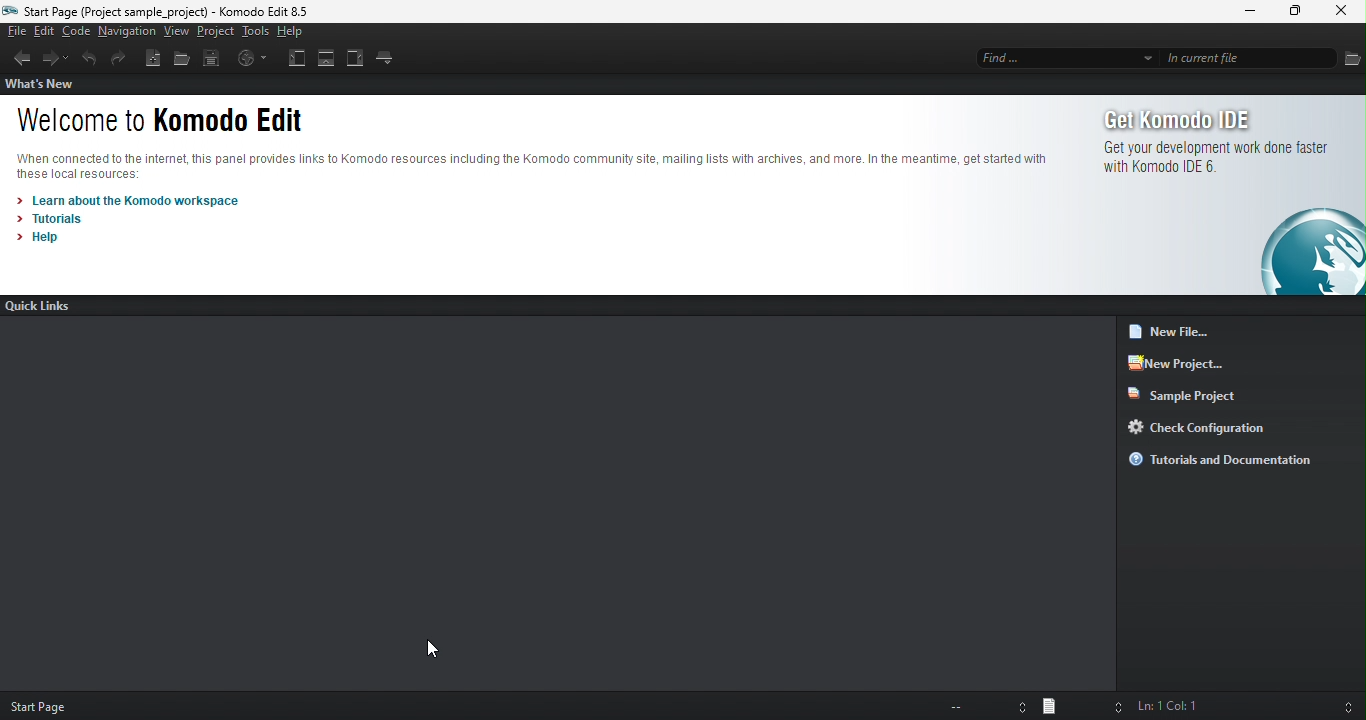  Describe the element at coordinates (1081, 707) in the screenshot. I see `file type` at that location.